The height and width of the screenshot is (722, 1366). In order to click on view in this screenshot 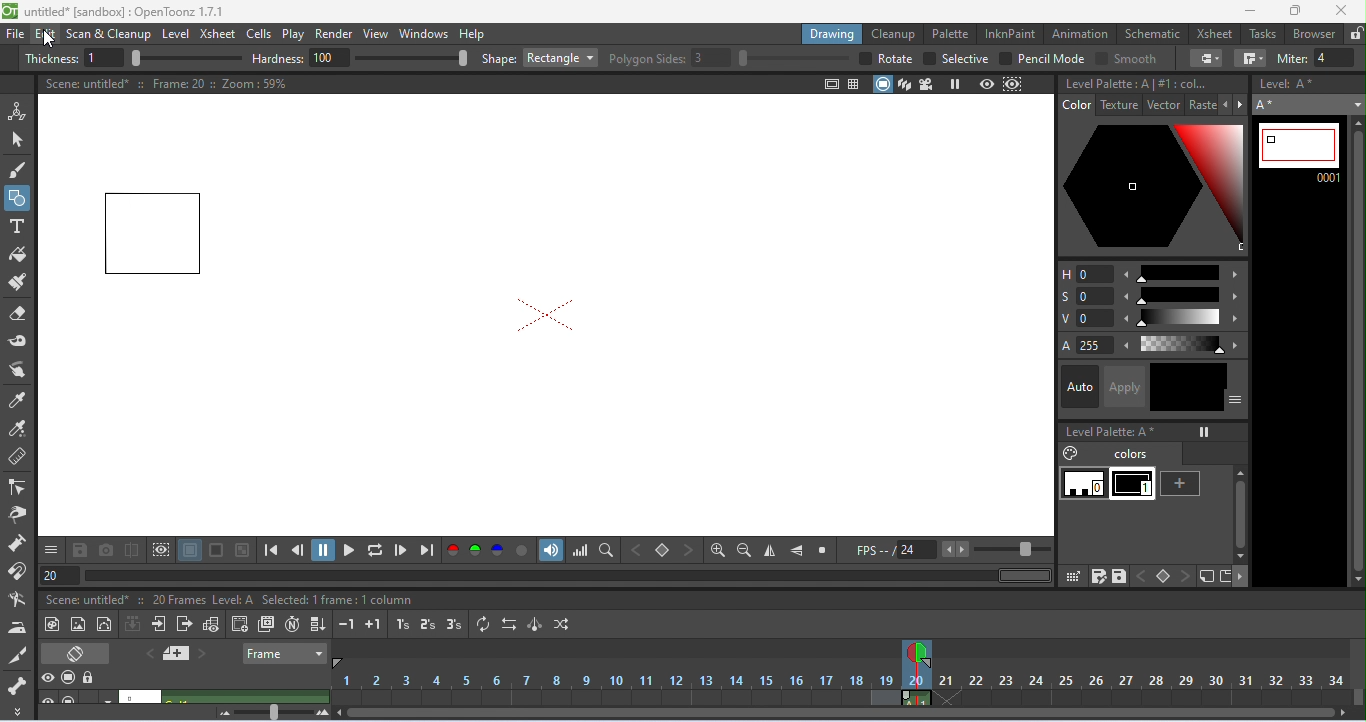, I will do `click(375, 34)`.